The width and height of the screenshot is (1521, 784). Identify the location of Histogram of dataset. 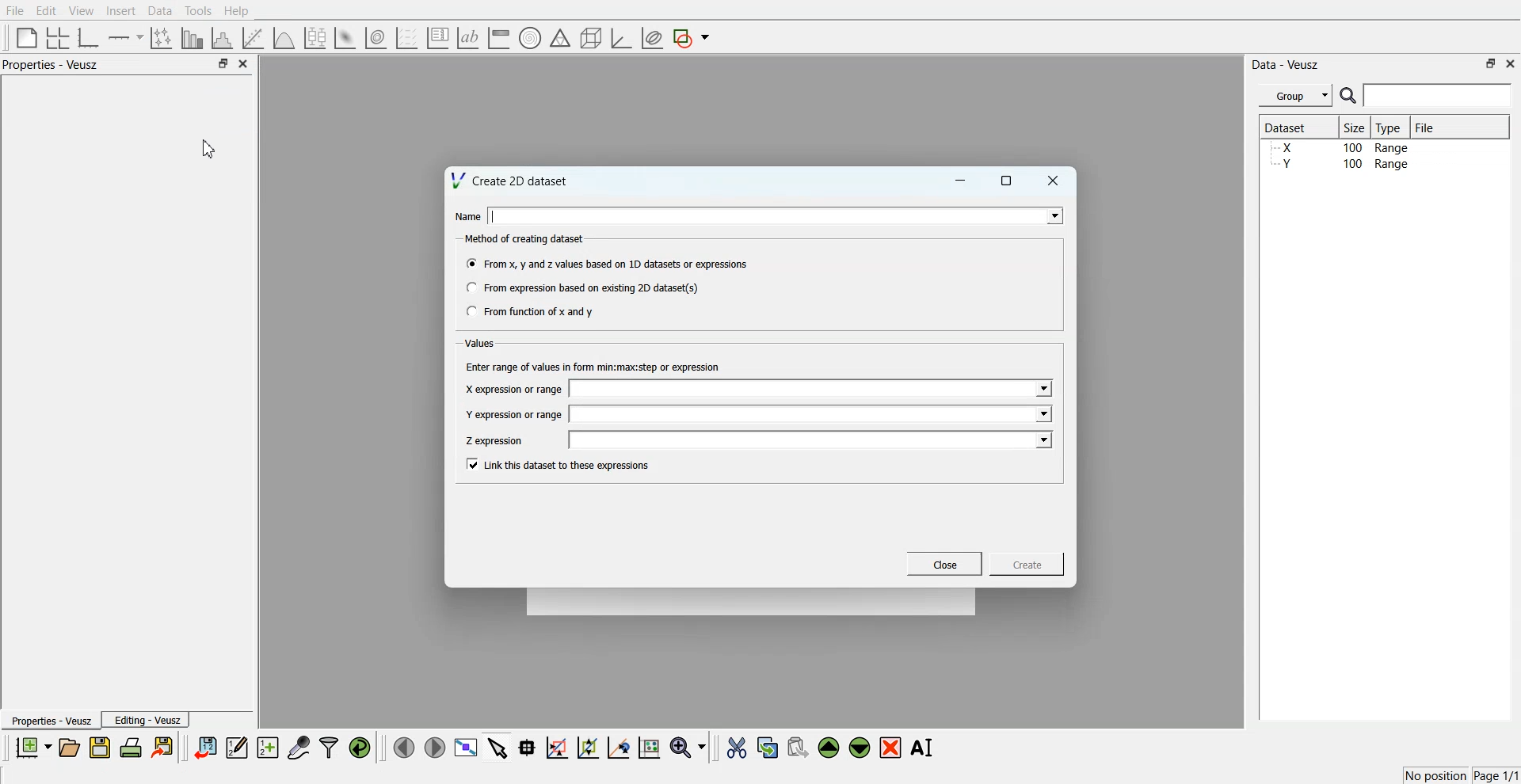
(220, 39).